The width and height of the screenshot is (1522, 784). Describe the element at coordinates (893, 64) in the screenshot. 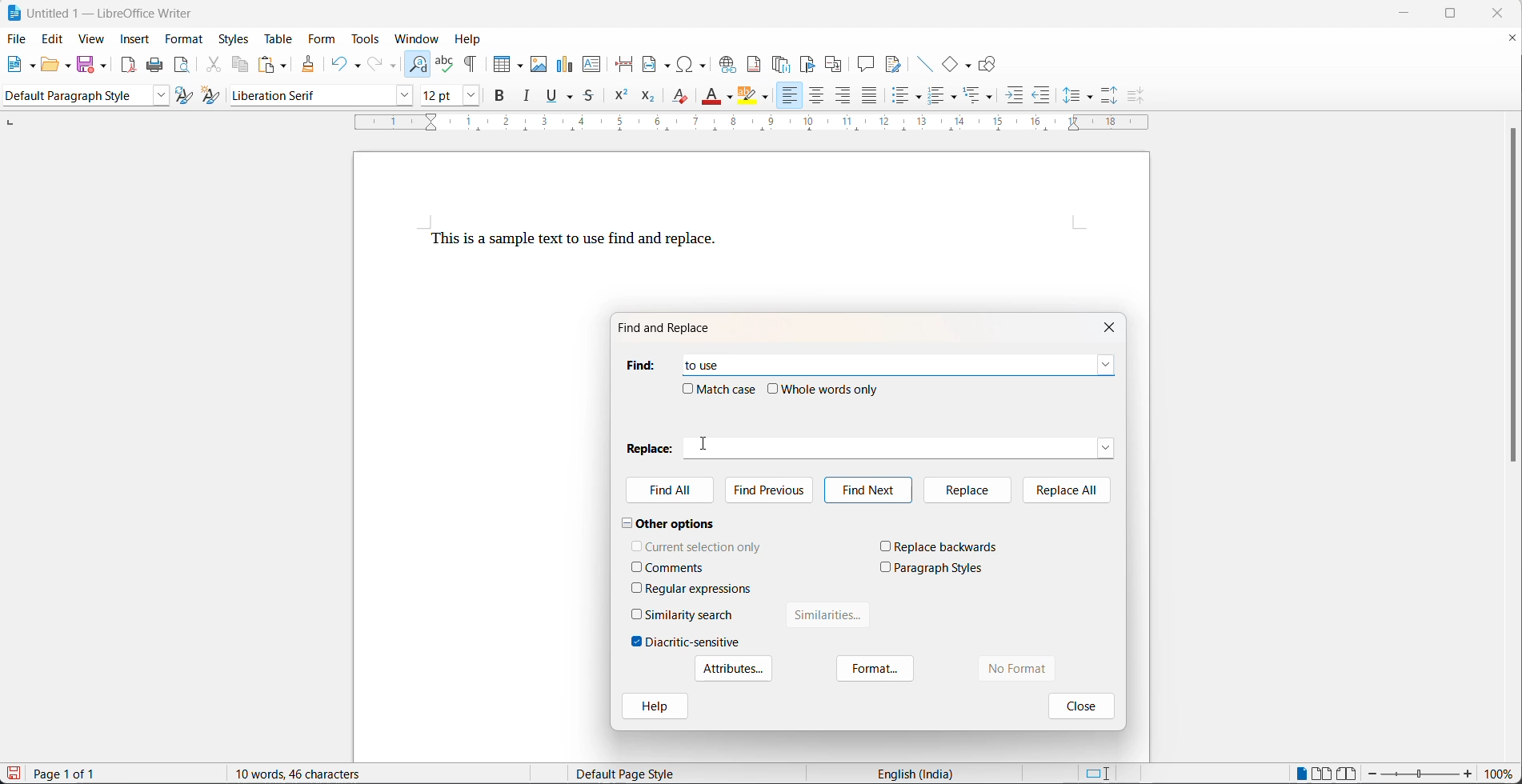

I see `show track changes functions` at that location.